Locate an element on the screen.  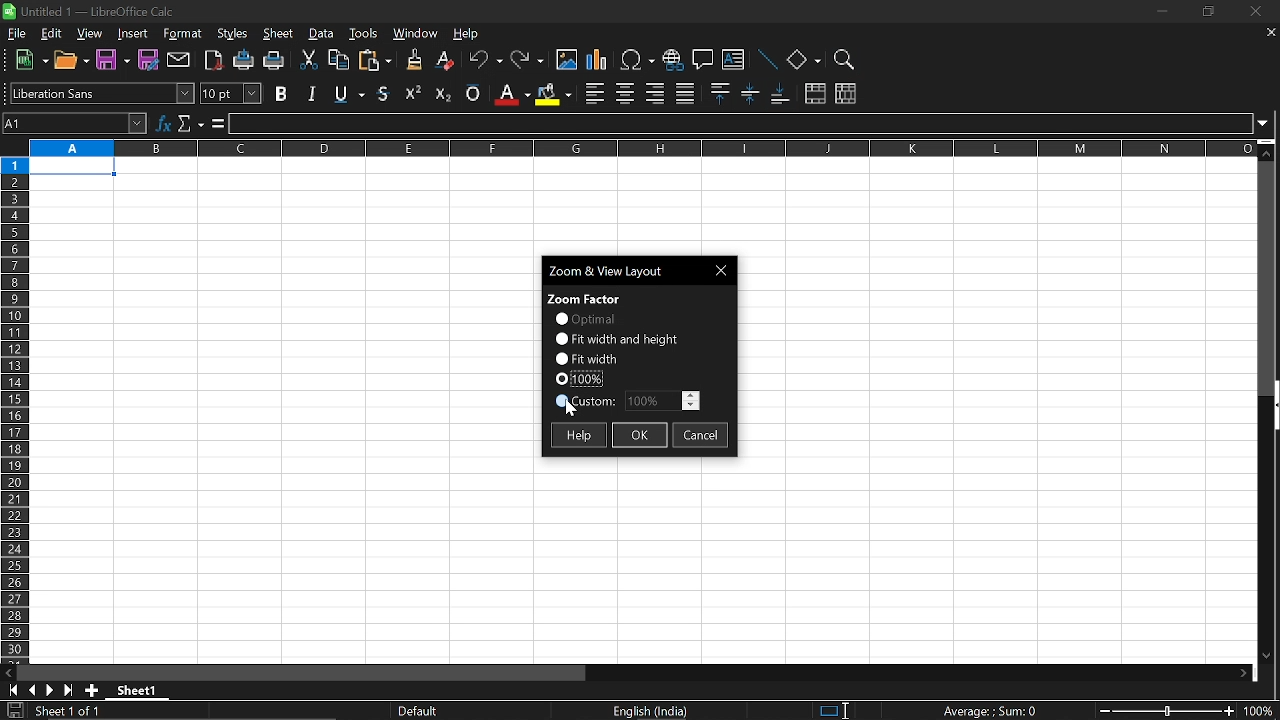
undo is located at coordinates (486, 62).